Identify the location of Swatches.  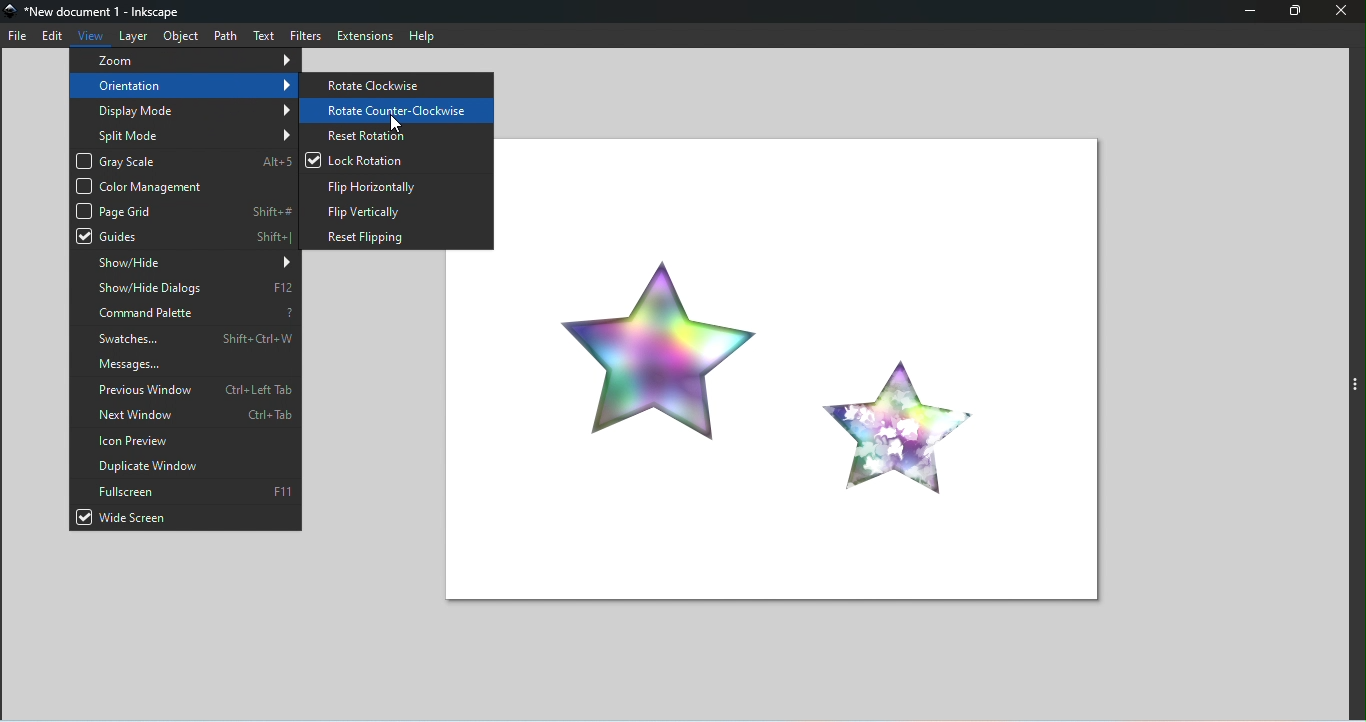
(186, 337).